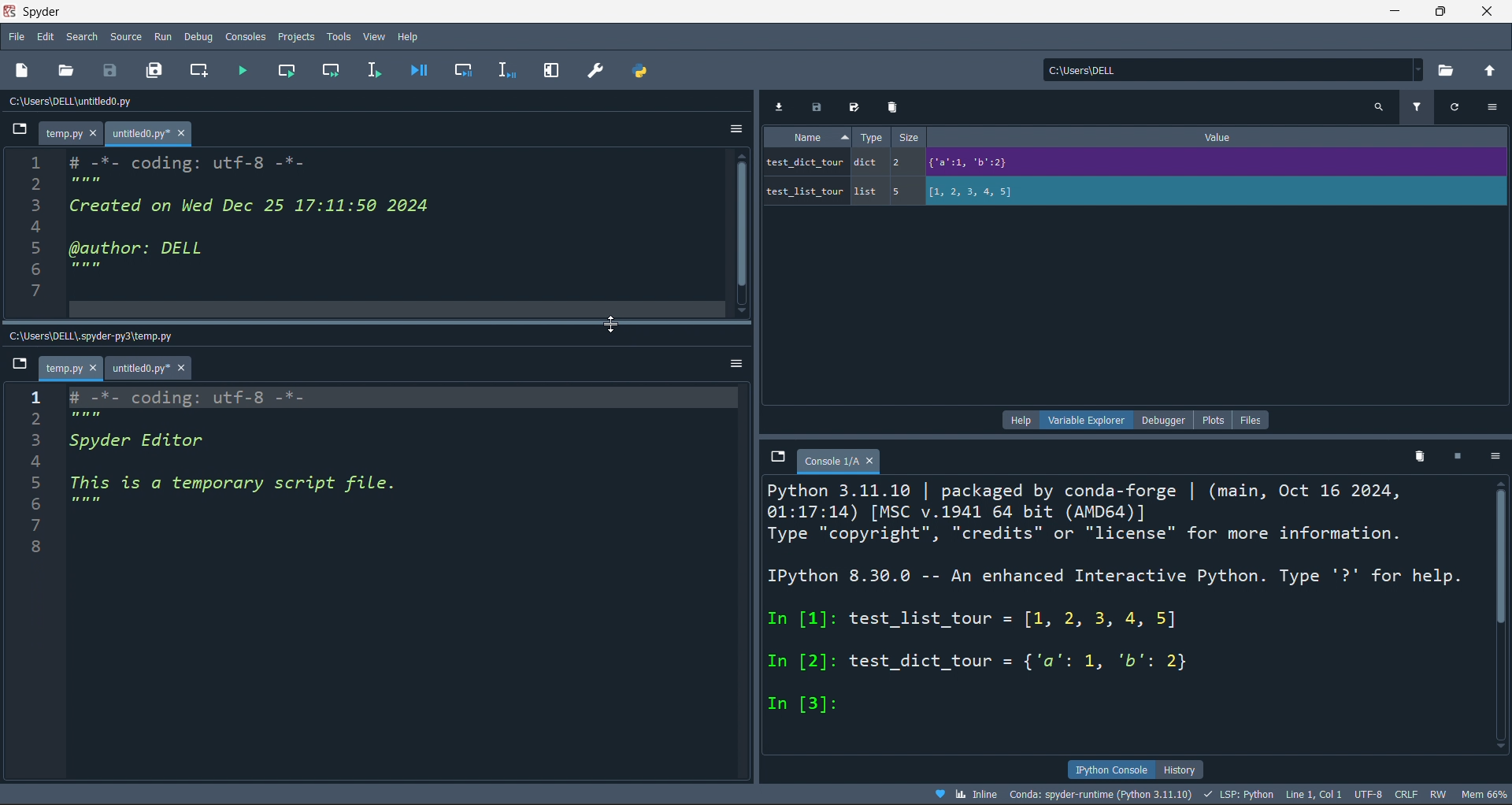  I want to click on source, so click(121, 36).